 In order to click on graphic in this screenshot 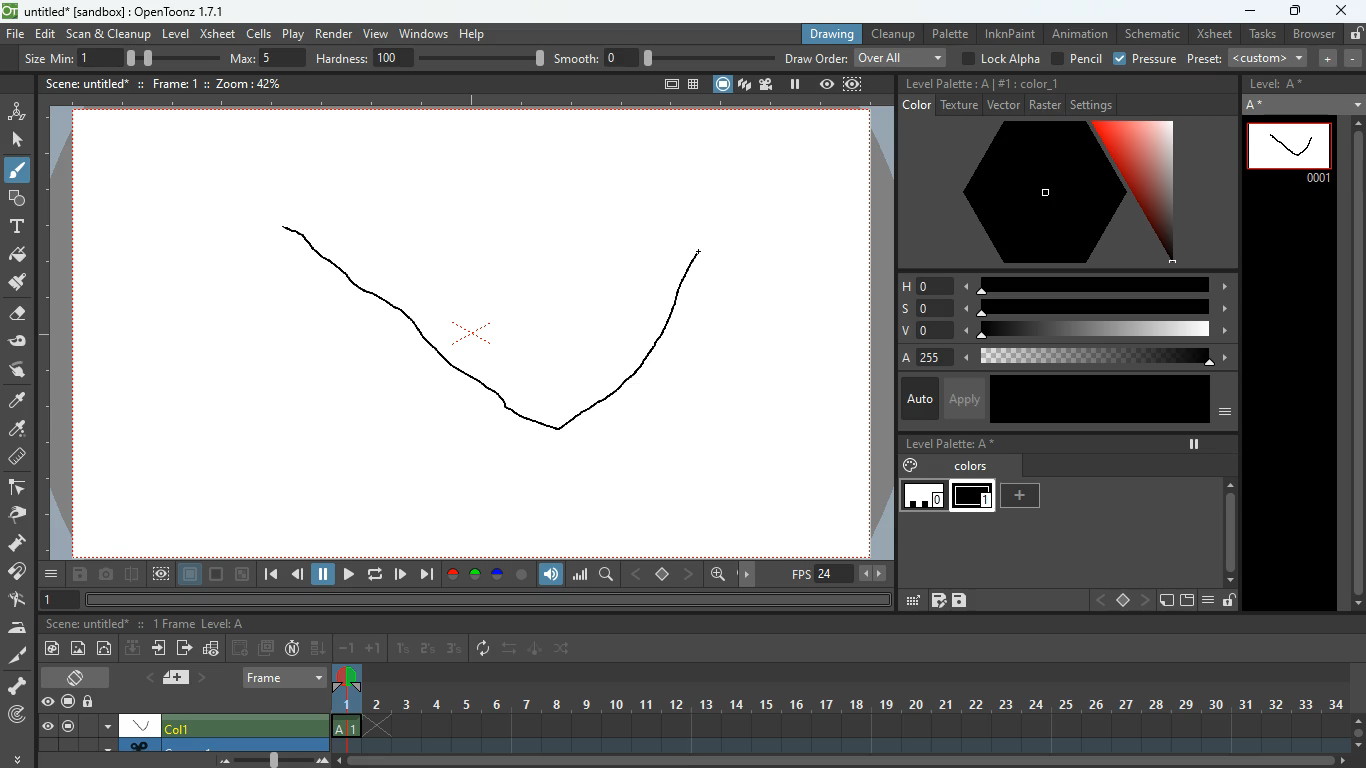, I will do `click(211, 650)`.